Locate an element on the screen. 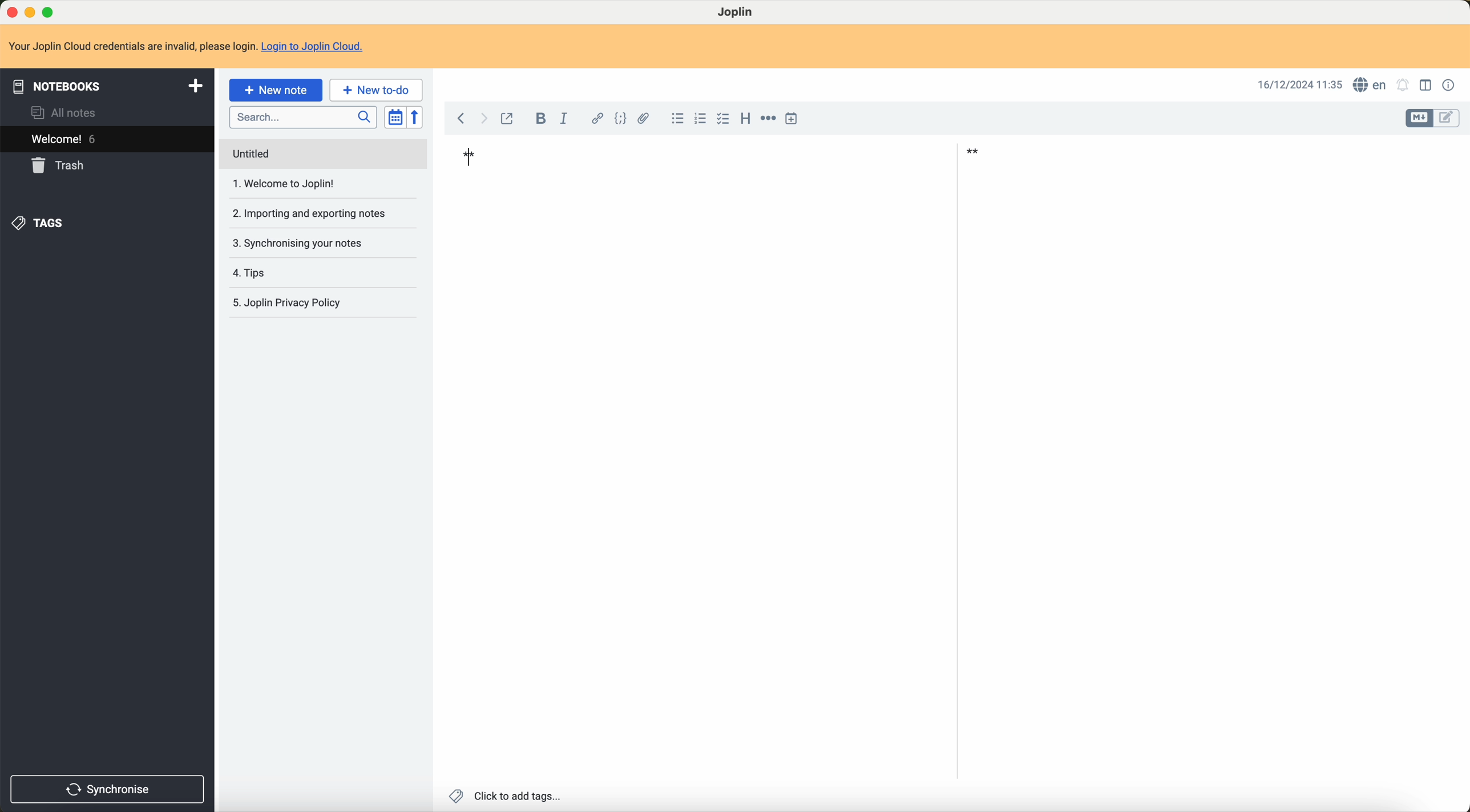  note properties is located at coordinates (1449, 85).